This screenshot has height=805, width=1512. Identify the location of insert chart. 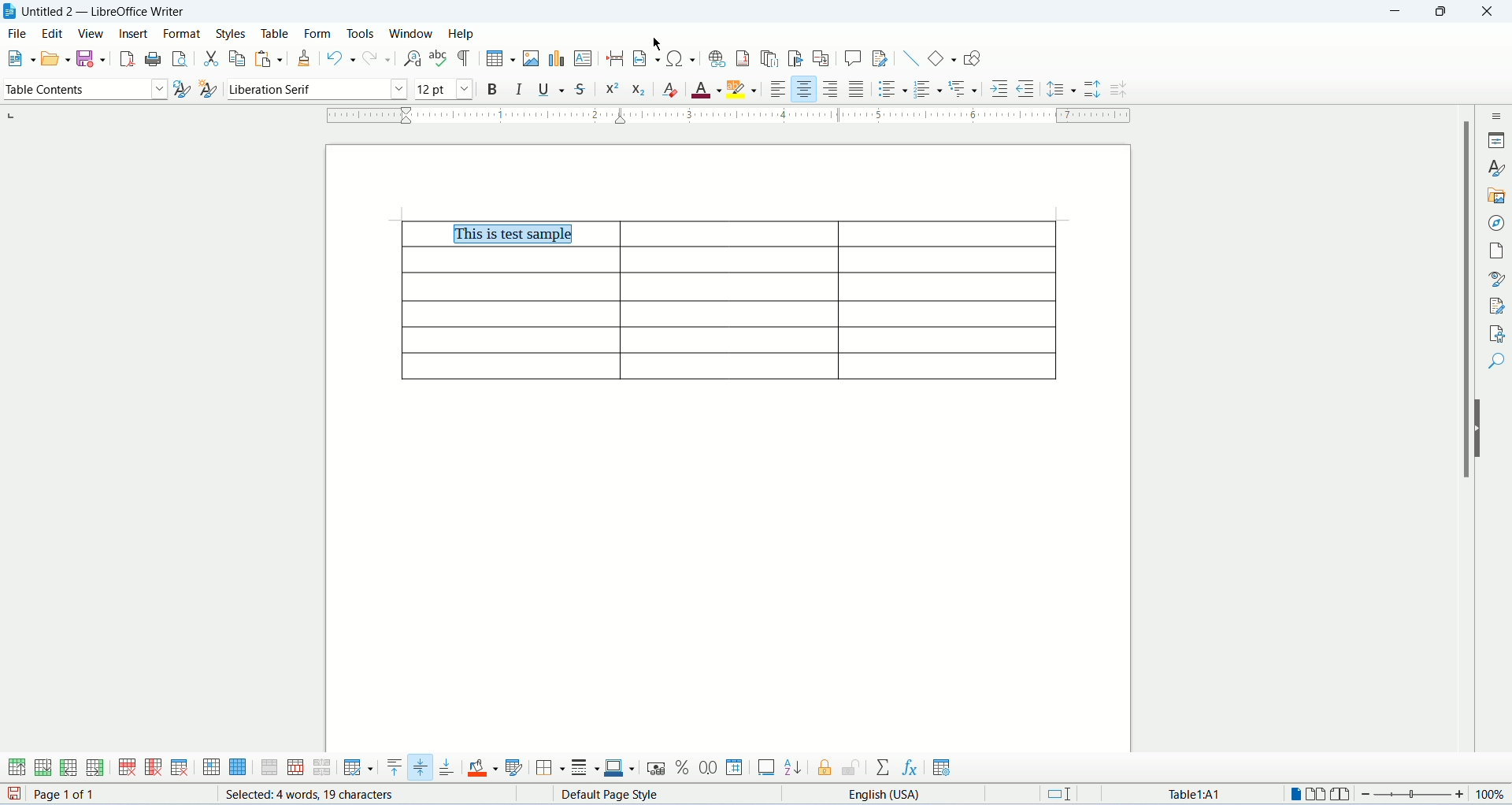
(558, 58).